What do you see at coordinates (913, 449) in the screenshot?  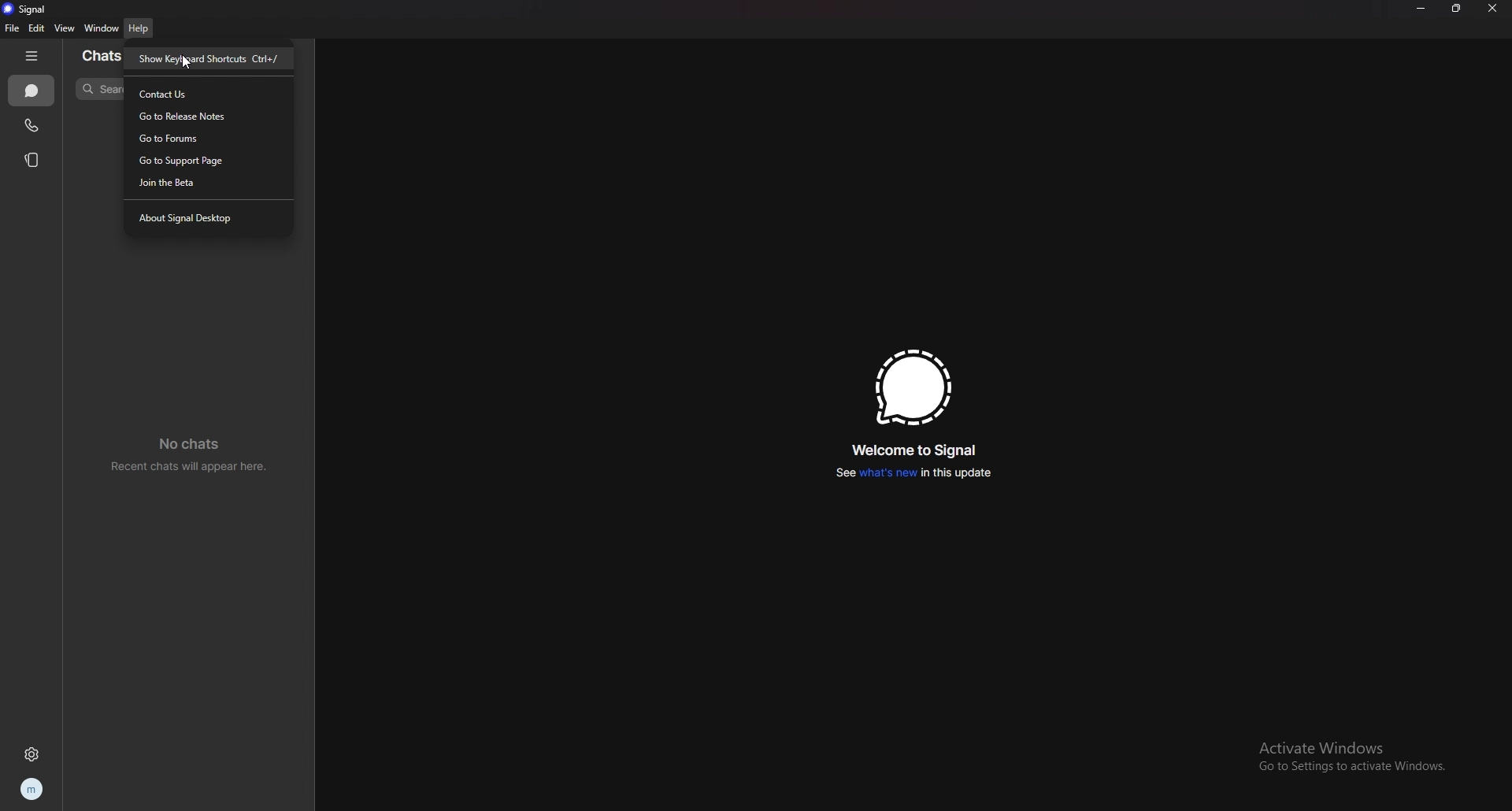 I see `welcome to signal` at bounding box center [913, 449].